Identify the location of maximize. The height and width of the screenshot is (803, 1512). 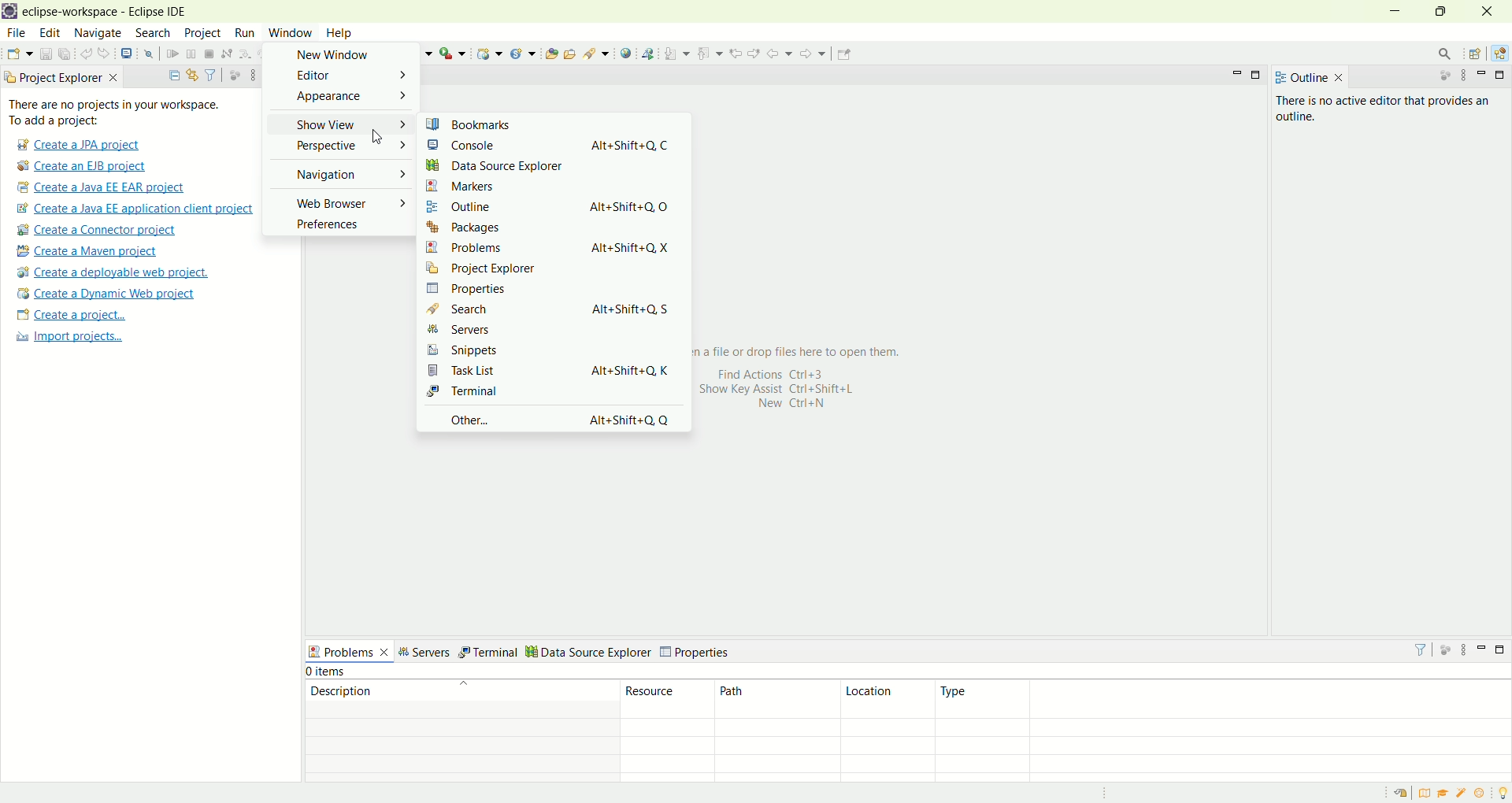
(1258, 75).